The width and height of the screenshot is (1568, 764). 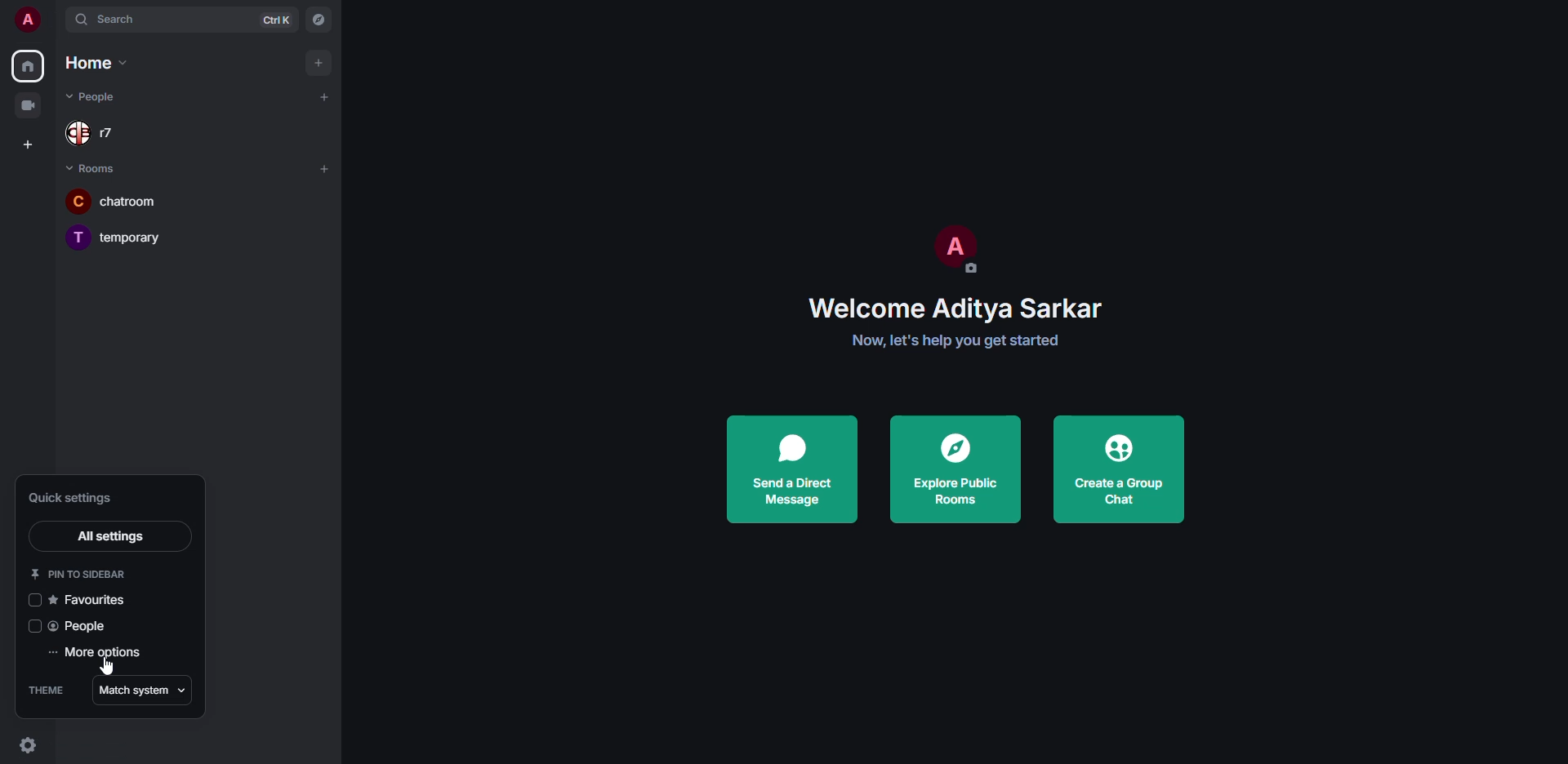 What do you see at coordinates (956, 340) in the screenshot?
I see `get started` at bounding box center [956, 340].